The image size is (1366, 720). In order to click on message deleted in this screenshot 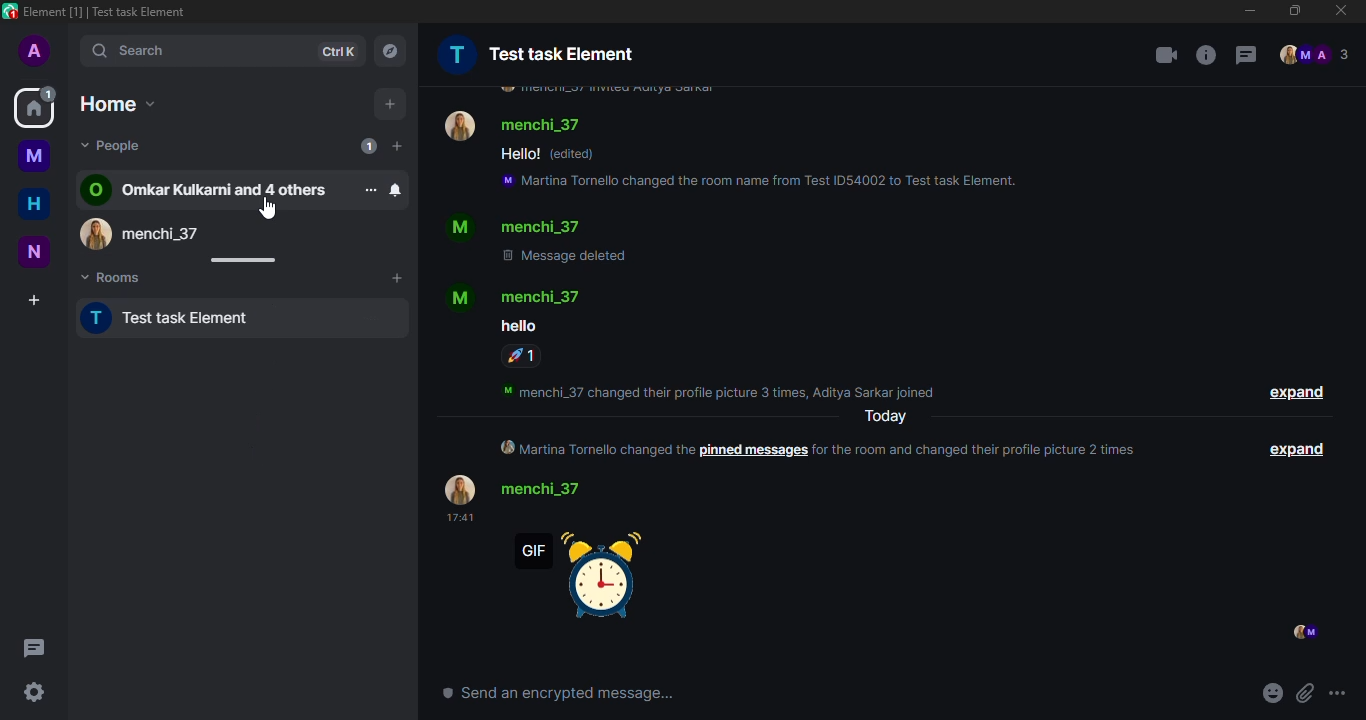, I will do `click(564, 254)`.